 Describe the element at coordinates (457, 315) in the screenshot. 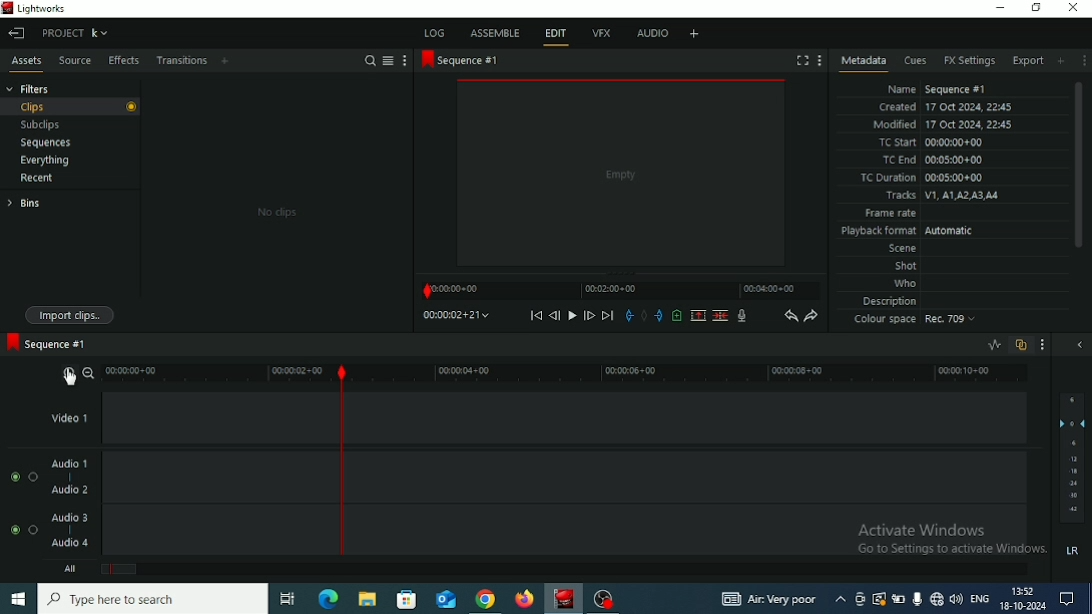

I see `Timecodes and reels` at that location.